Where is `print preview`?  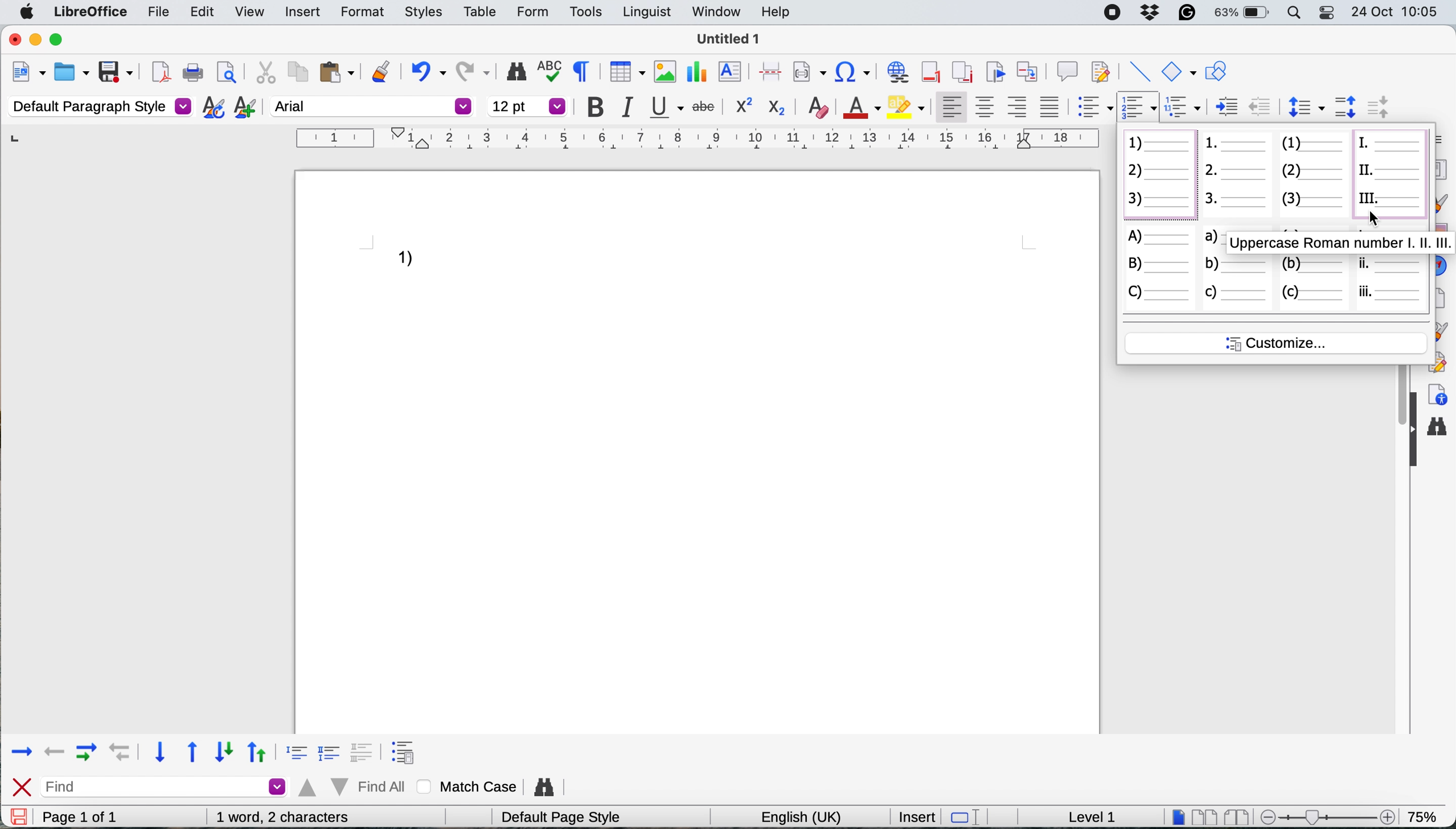
print preview is located at coordinates (226, 72).